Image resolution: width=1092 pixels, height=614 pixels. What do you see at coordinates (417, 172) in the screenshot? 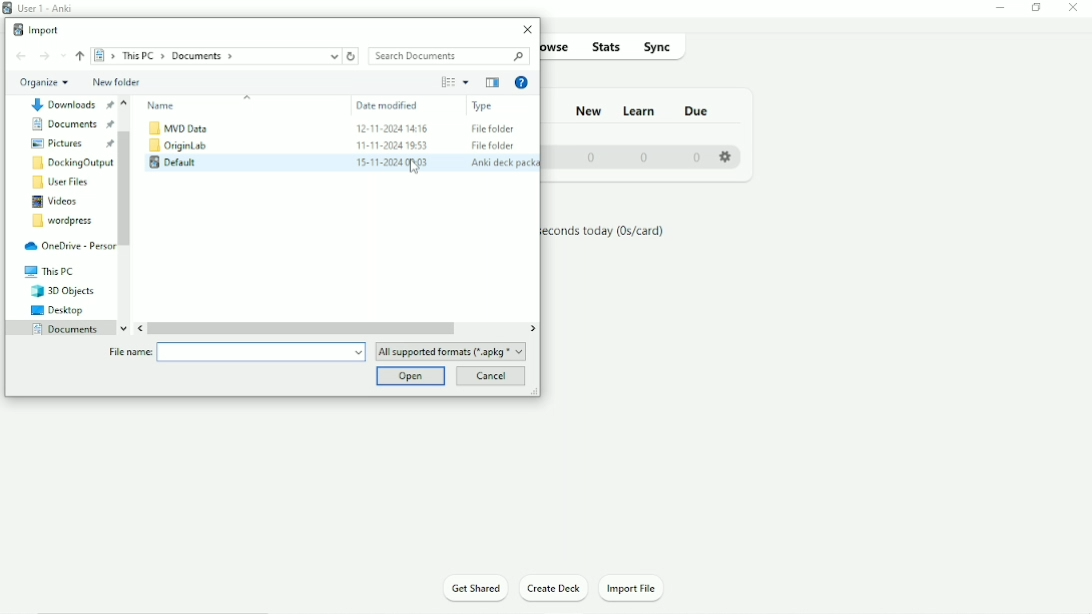
I see `cursor` at bounding box center [417, 172].